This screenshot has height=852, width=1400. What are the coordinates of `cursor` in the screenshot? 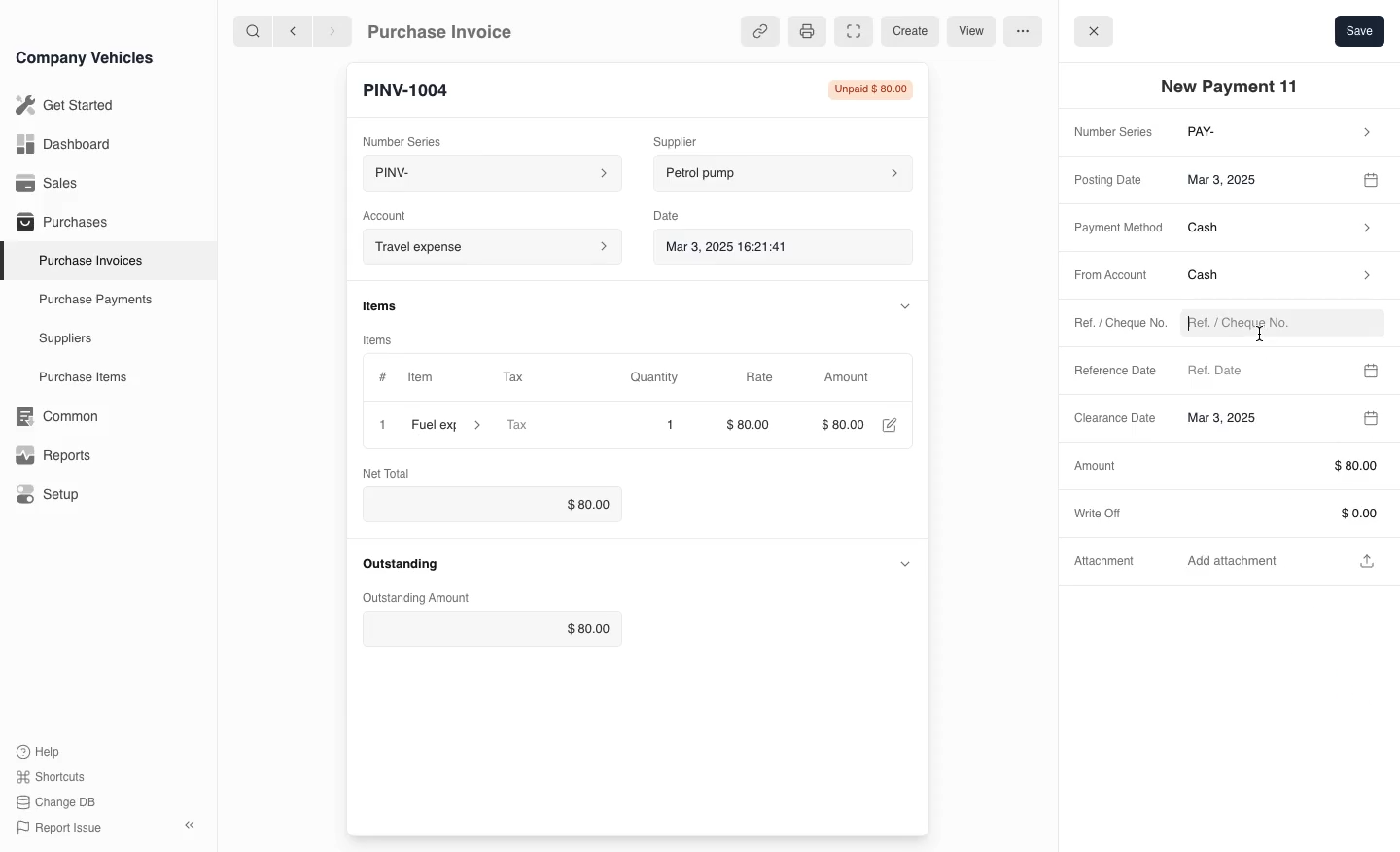 It's located at (1261, 332).